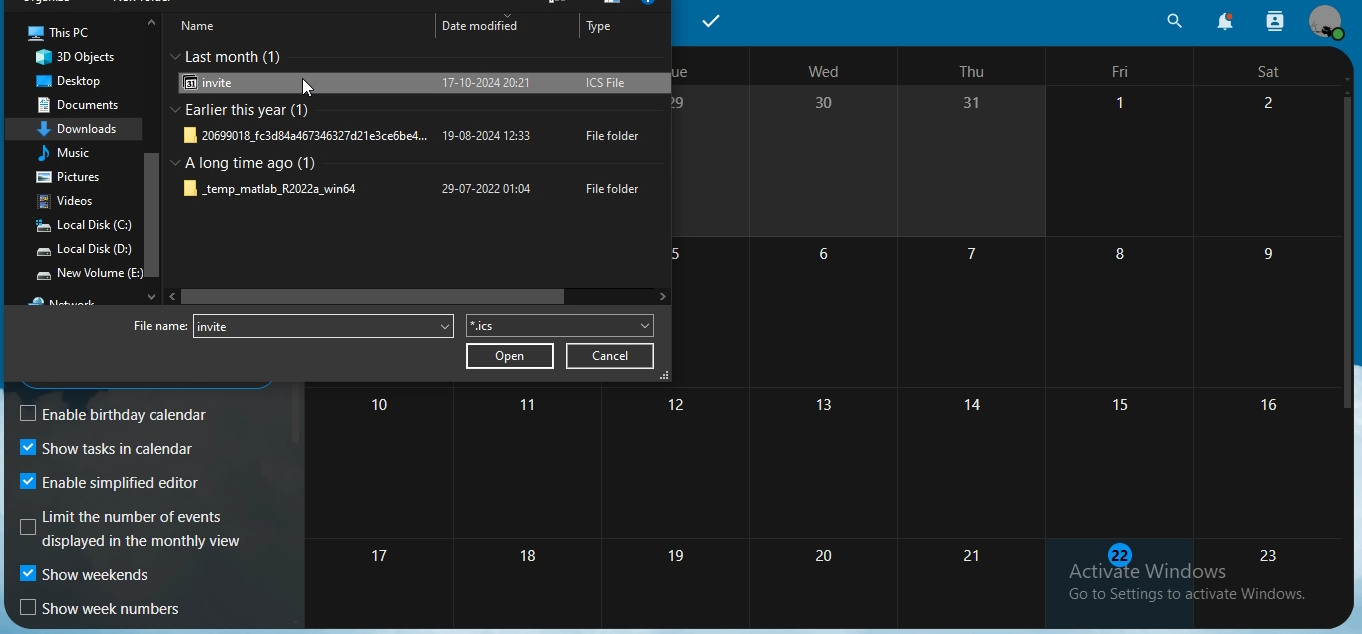 The image size is (1362, 634). Describe the element at coordinates (83, 57) in the screenshot. I see `3d objects` at that location.